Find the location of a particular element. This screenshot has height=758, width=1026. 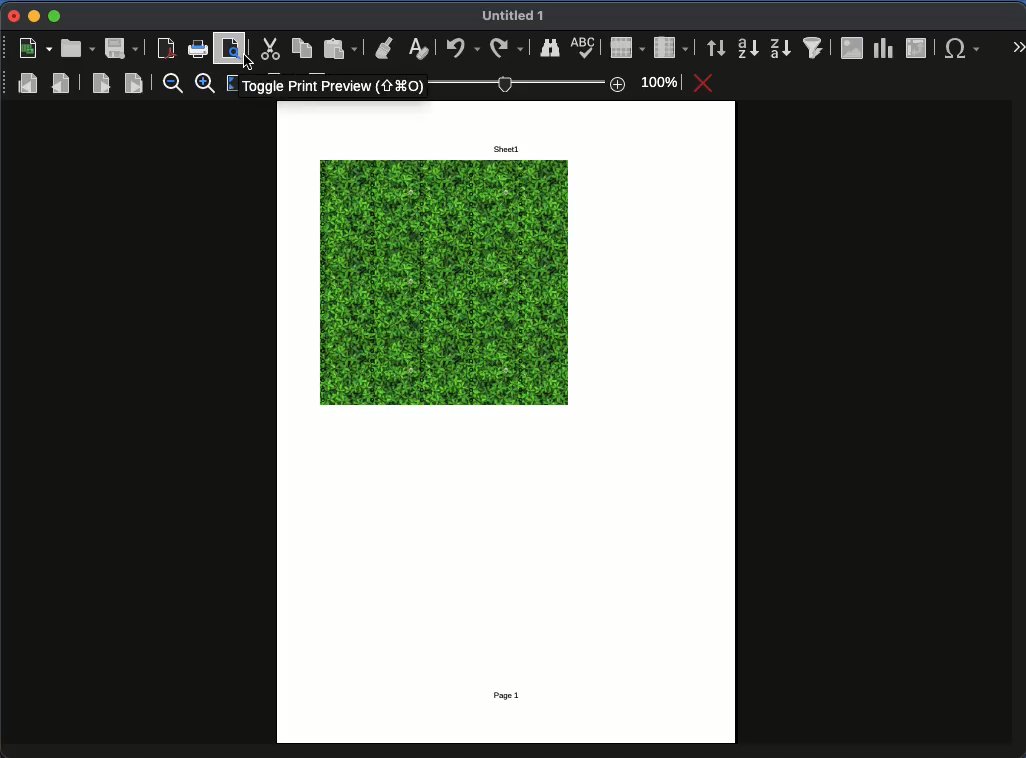

ascending is located at coordinates (747, 49).